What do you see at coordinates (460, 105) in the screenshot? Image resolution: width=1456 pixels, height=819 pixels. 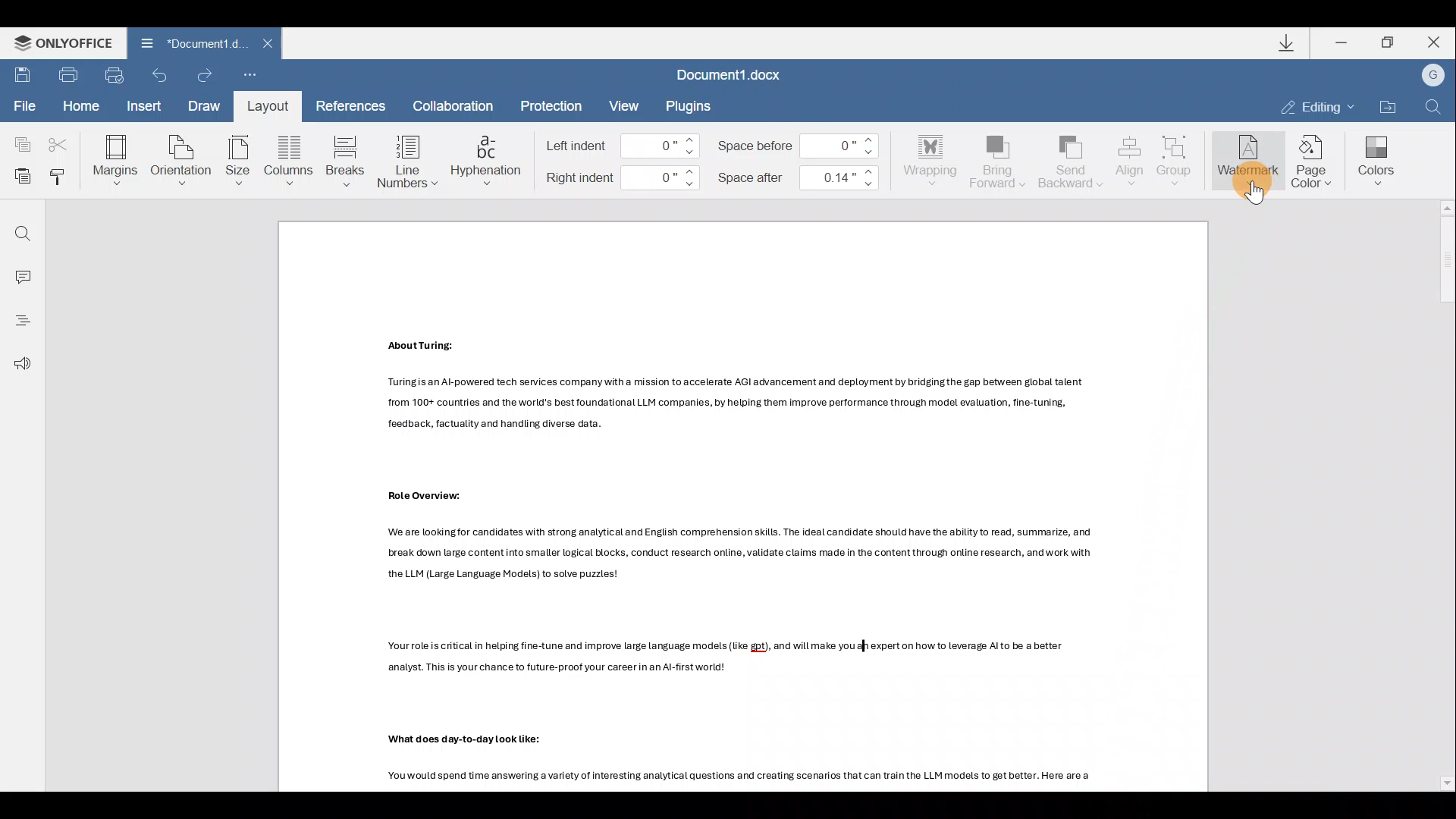 I see `Collaboration` at bounding box center [460, 105].